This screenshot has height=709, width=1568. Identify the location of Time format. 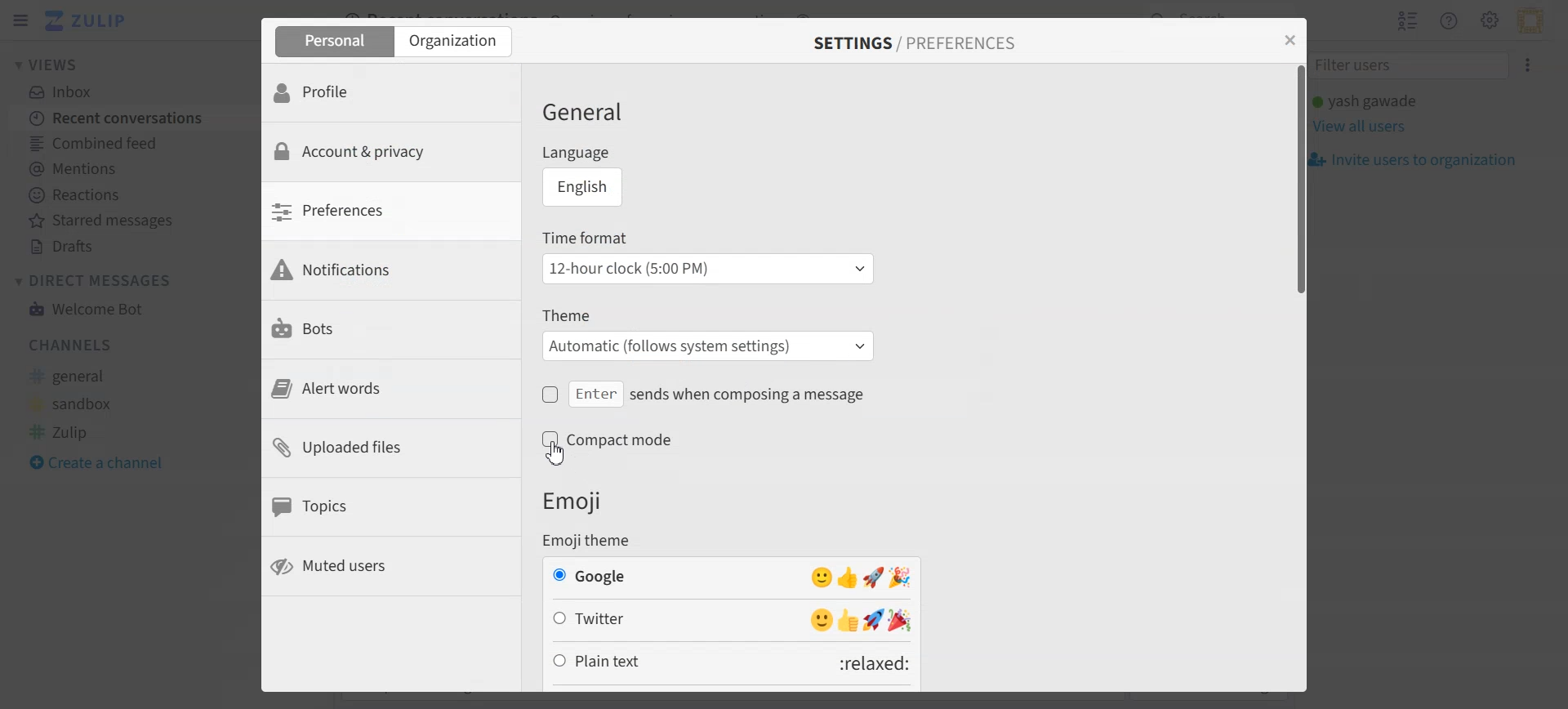
(709, 237).